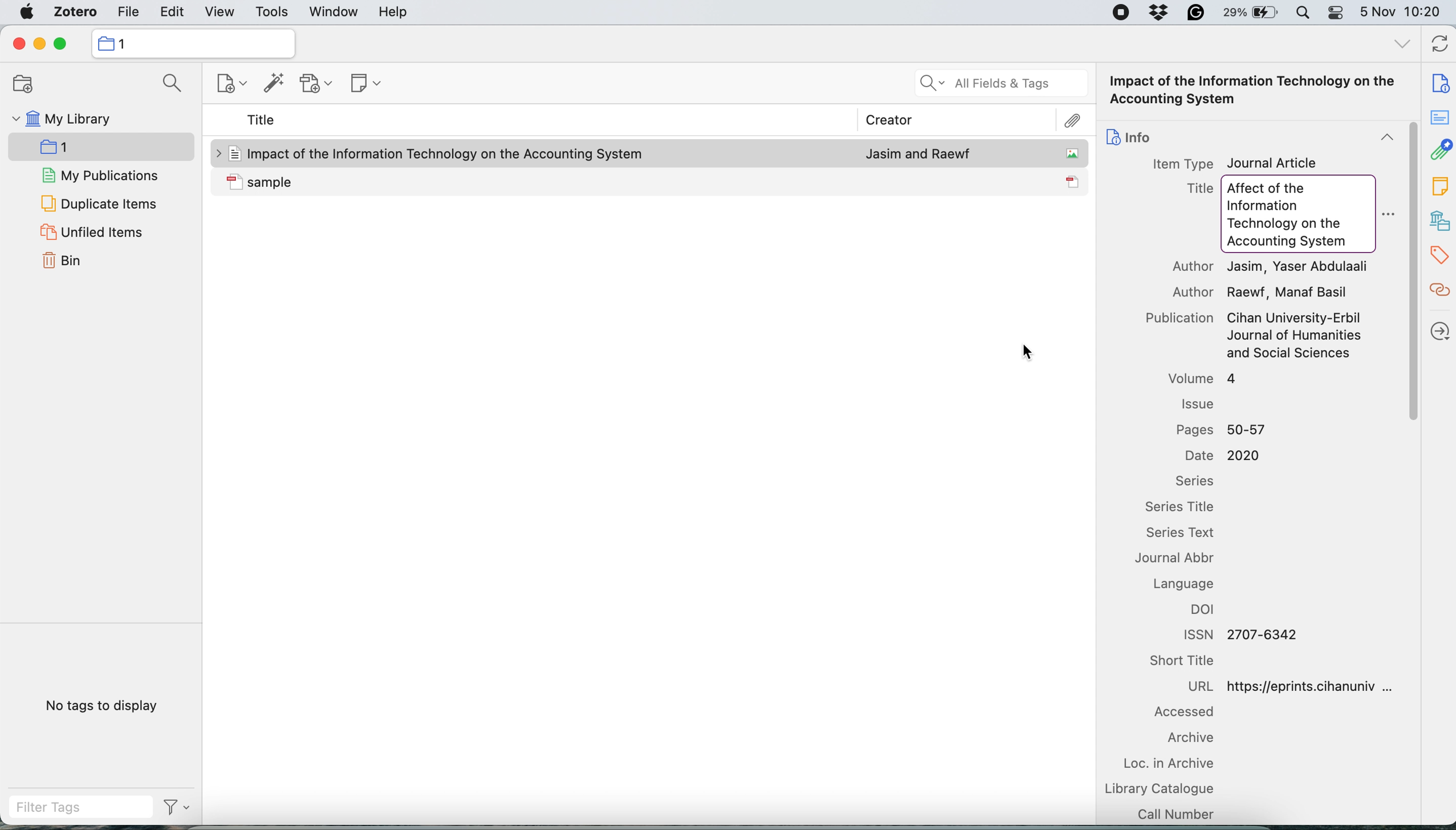 Image resolution: width=1456 pixels, height=830 pixels. Describe the element at coordinates (274, 12) in the screenshot. I see `tools` at that location.